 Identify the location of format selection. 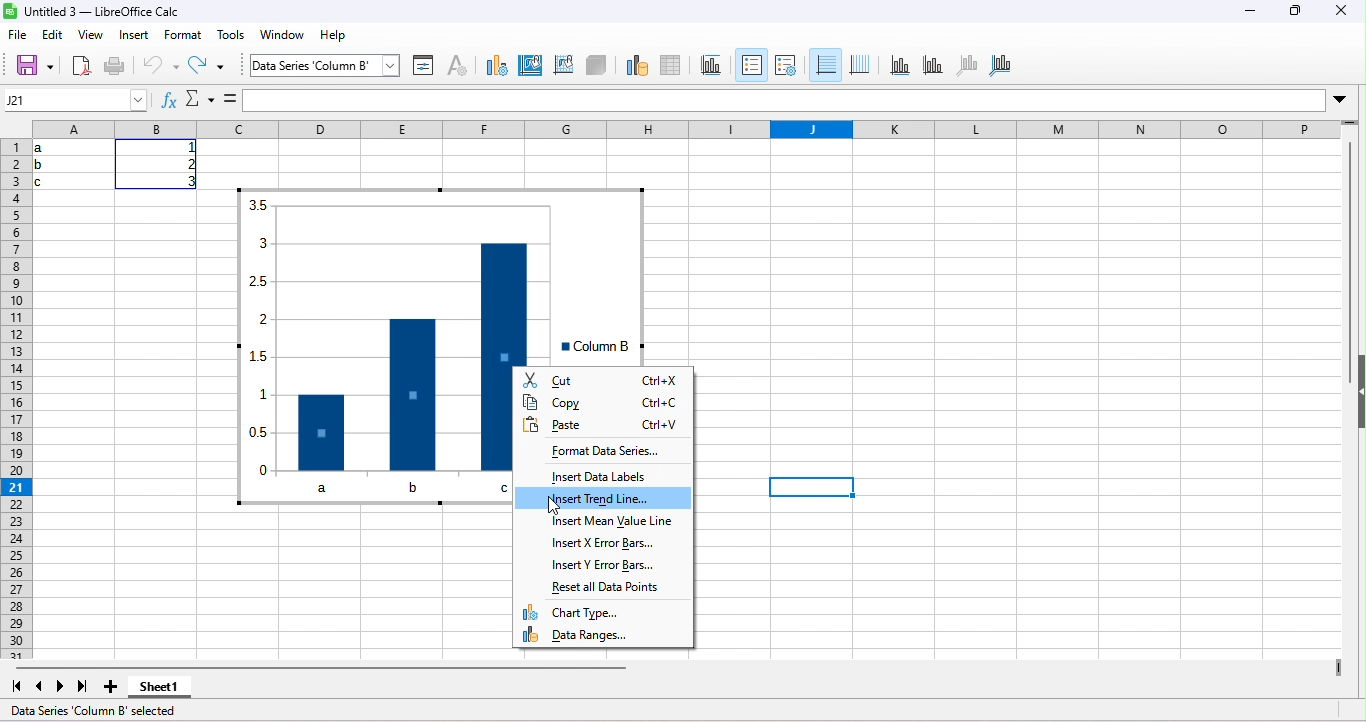
(424, 66).